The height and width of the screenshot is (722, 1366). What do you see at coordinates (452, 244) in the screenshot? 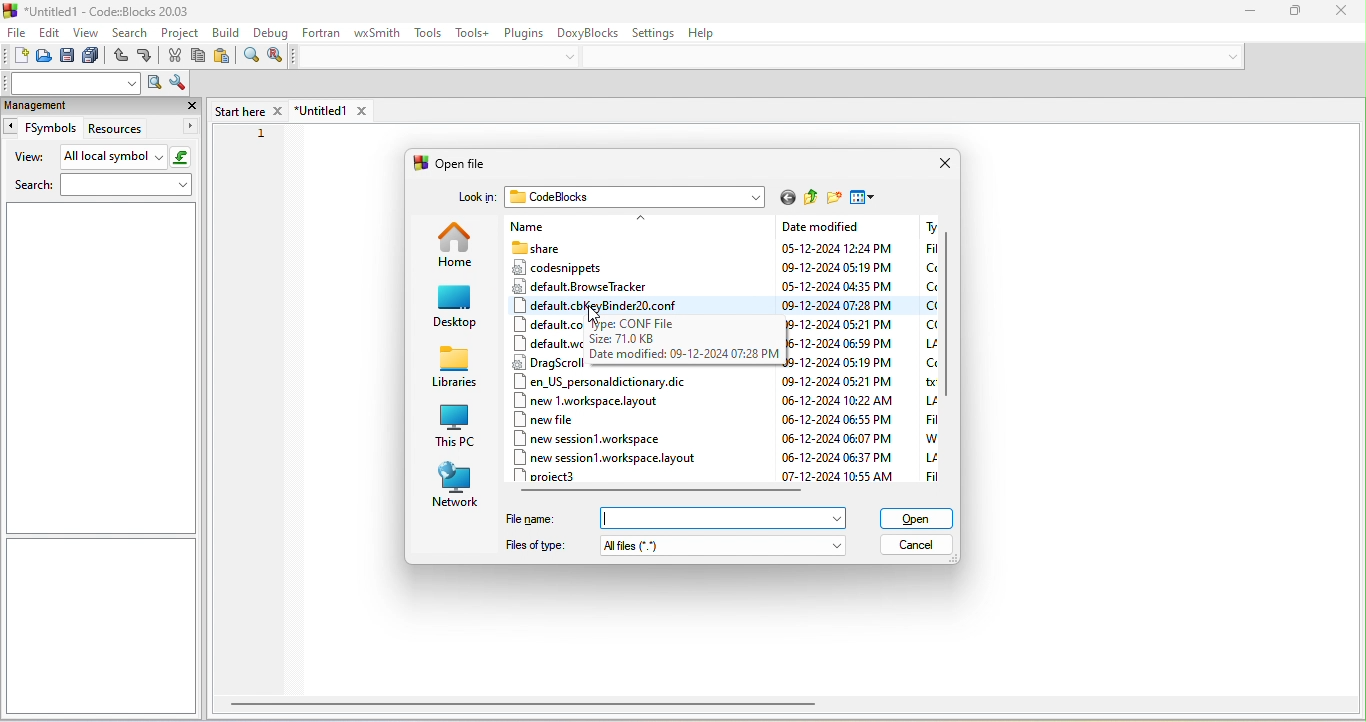
I see `home` at bounding box center [452, 244].